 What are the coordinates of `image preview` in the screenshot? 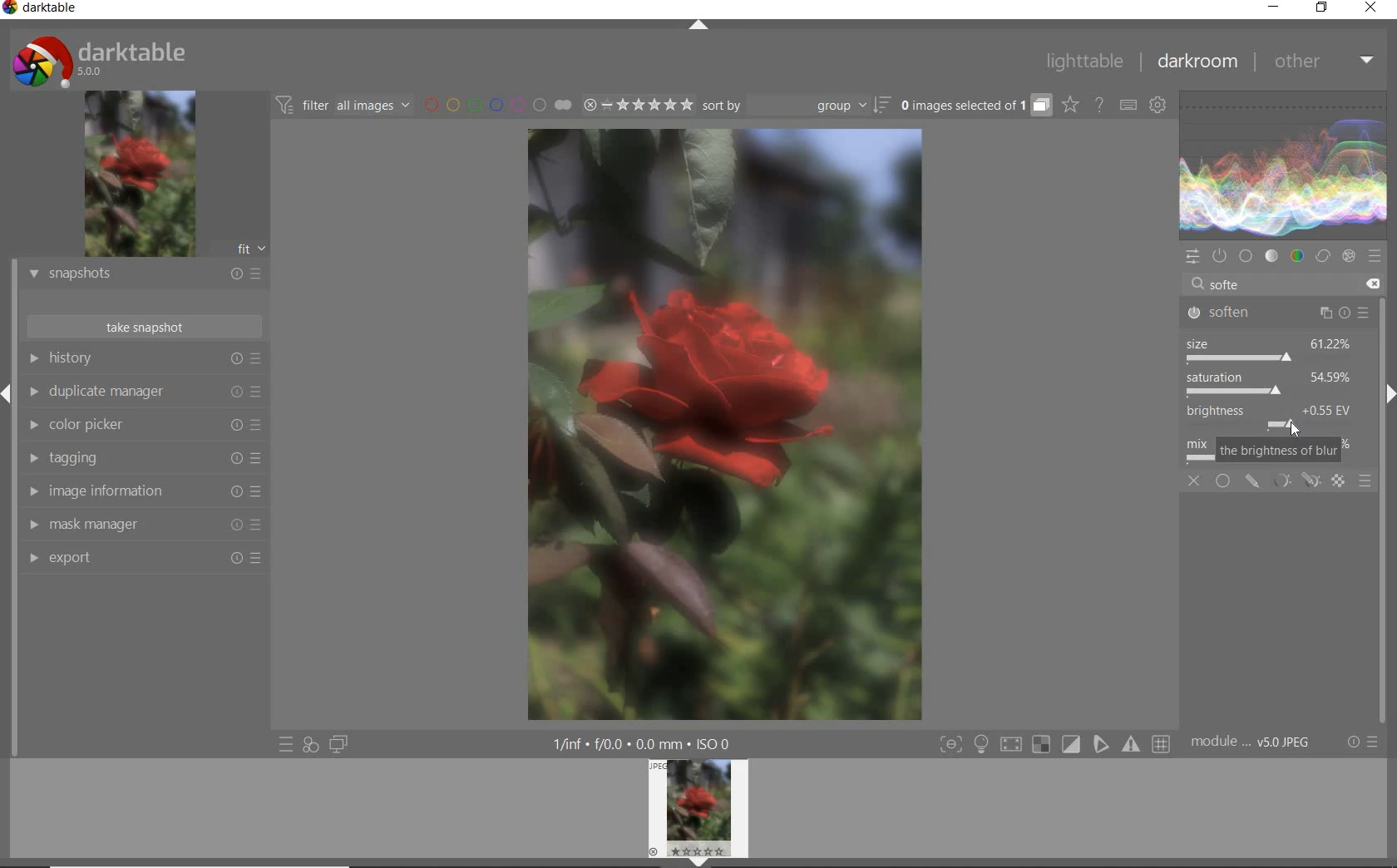 It's located at (139, 175).